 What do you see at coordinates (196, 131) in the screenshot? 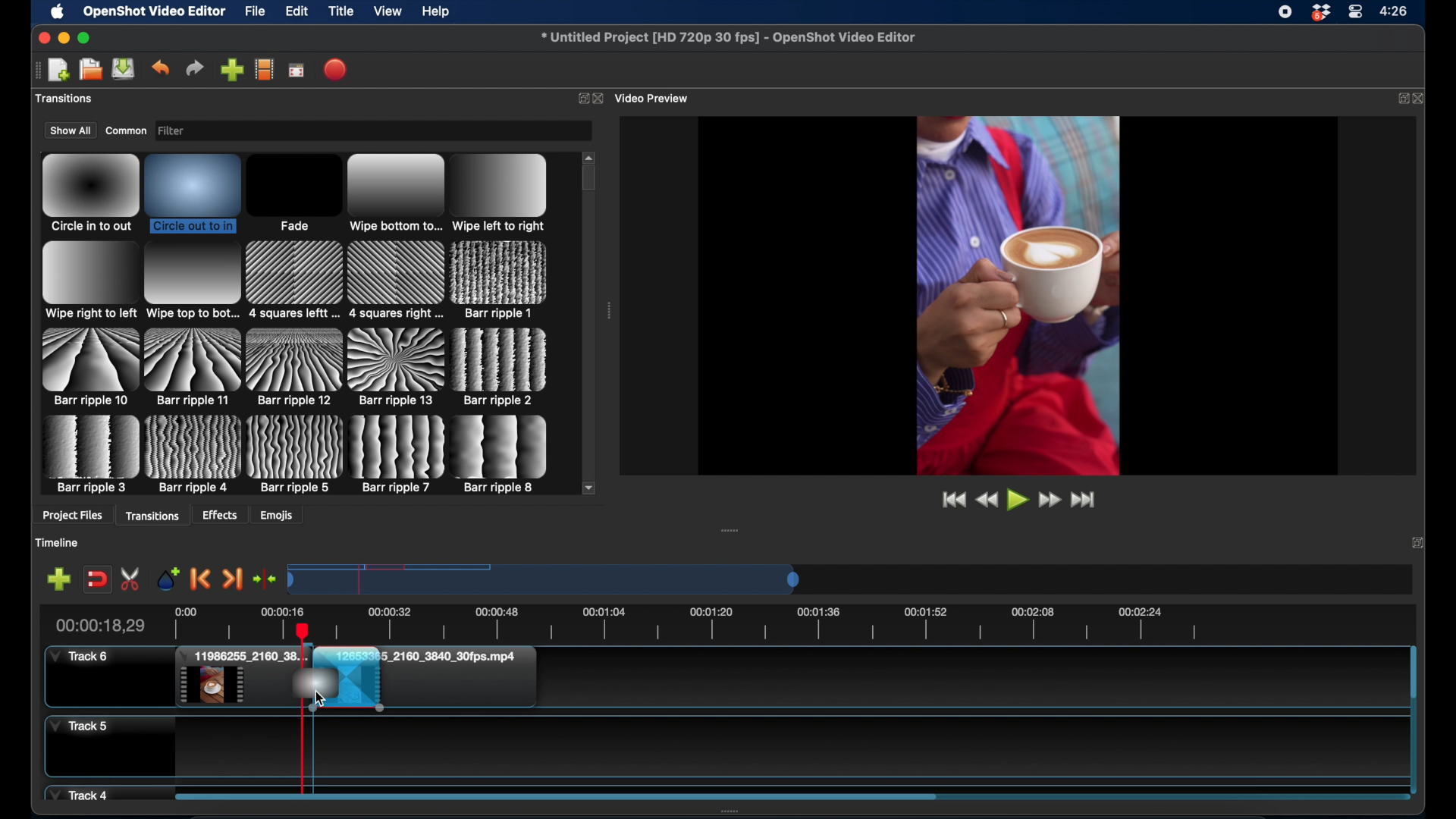
I see `filter` at bounding box center [196, 131].